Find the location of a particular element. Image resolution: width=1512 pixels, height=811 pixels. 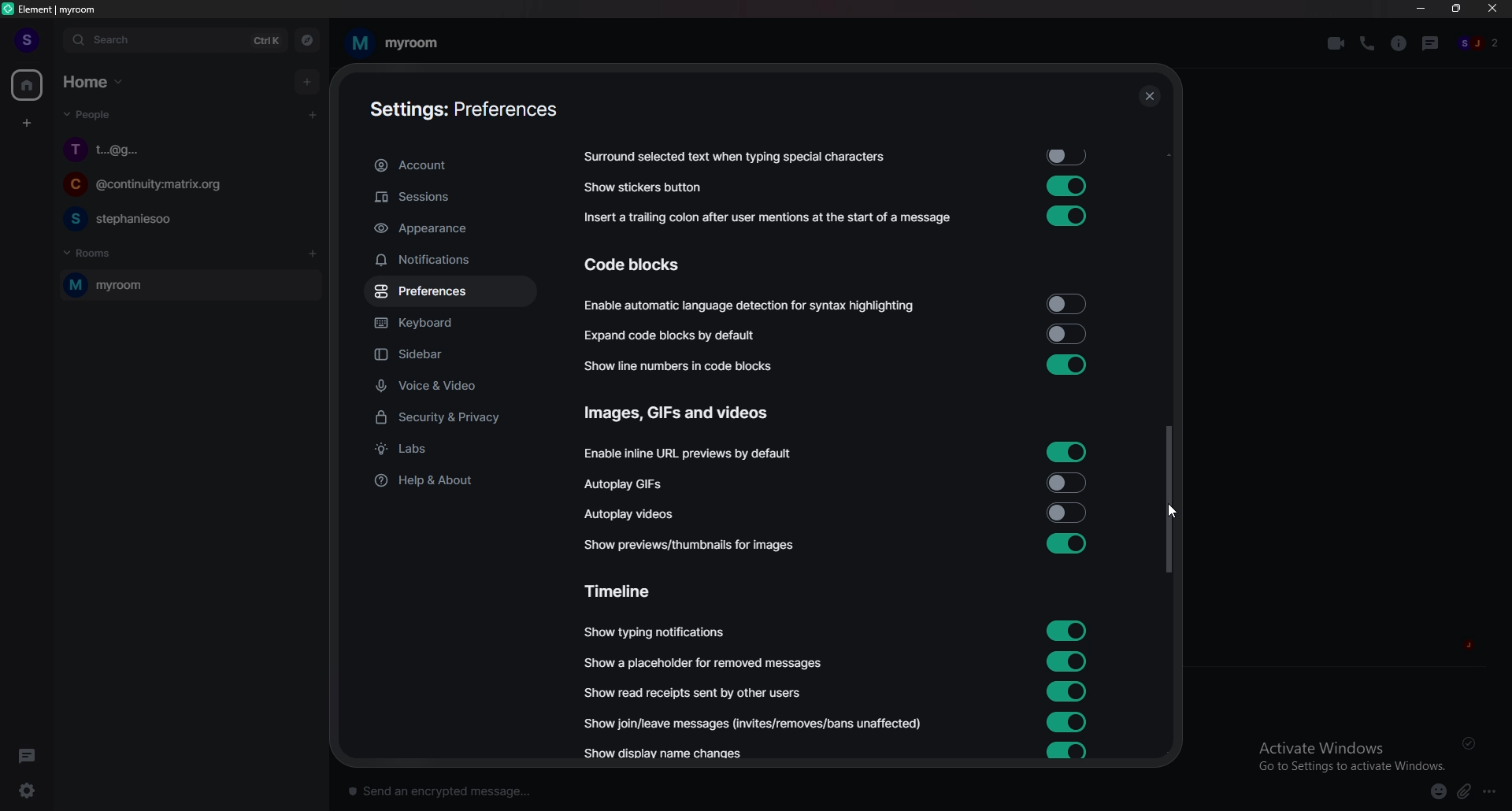

toggle is located at coordinates (1066, 364).